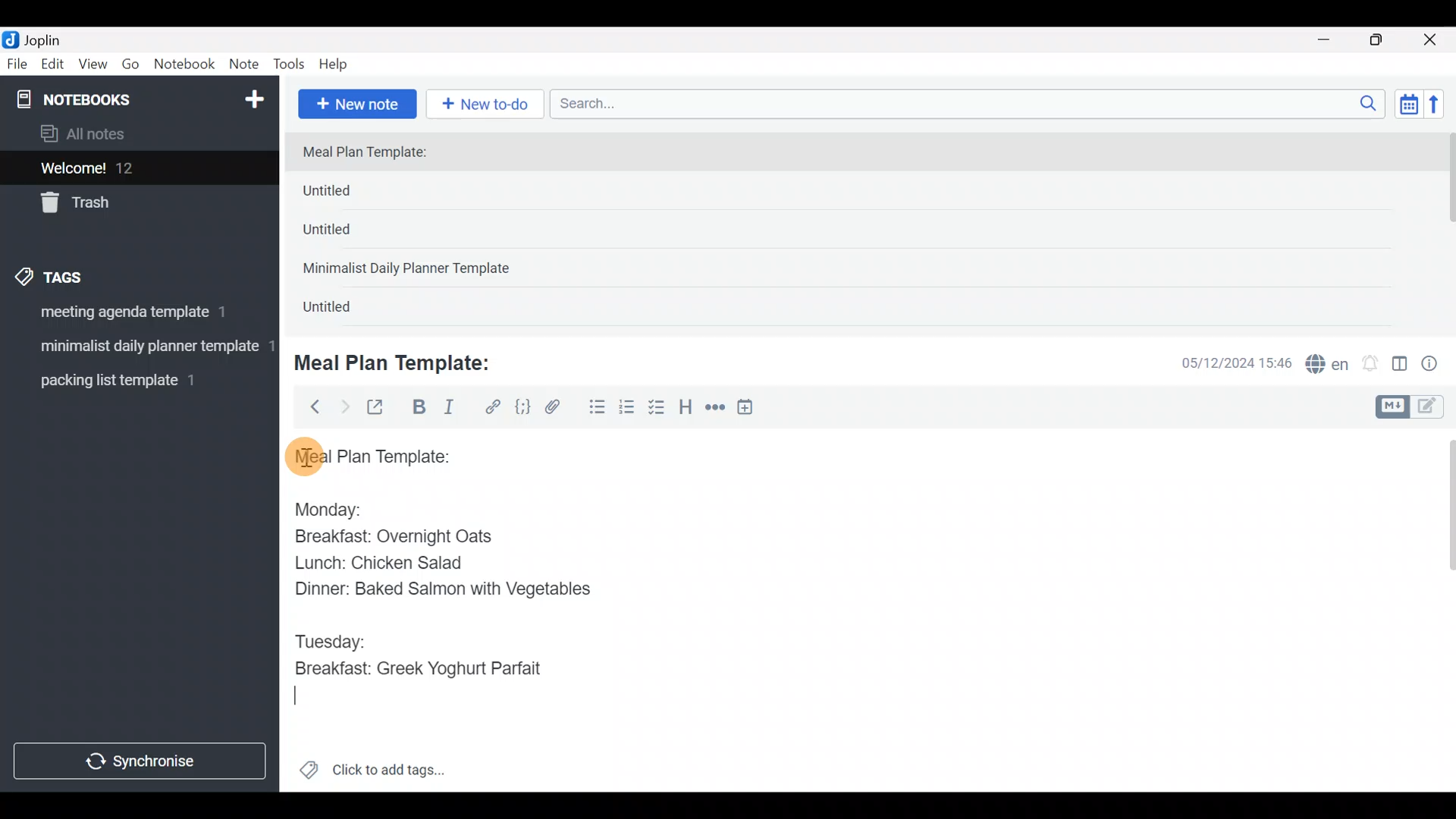 The image size is (1456, 819). I want to click on scroll bar, so click(1446, 229).